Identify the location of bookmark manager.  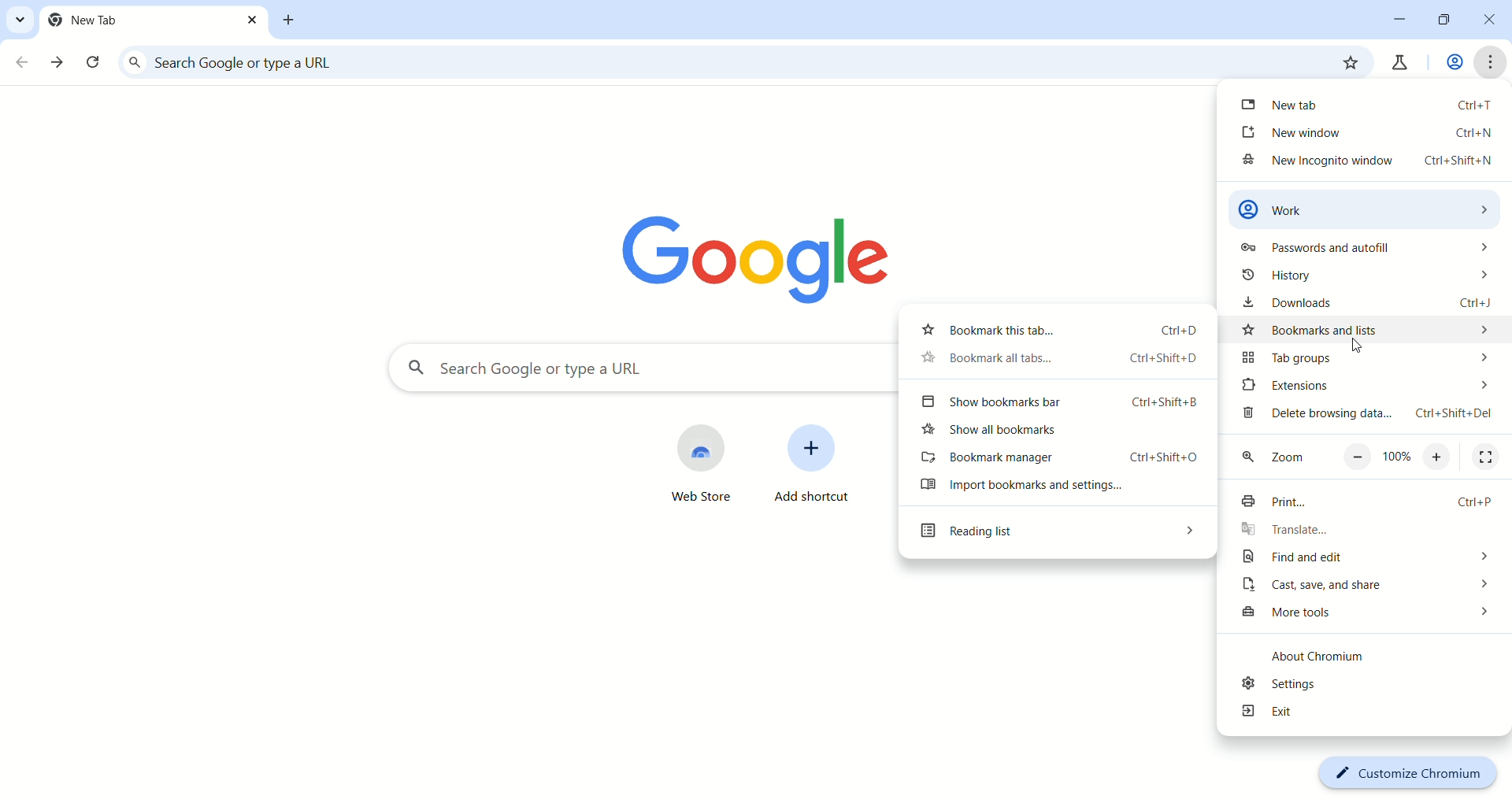
(1059, 460).